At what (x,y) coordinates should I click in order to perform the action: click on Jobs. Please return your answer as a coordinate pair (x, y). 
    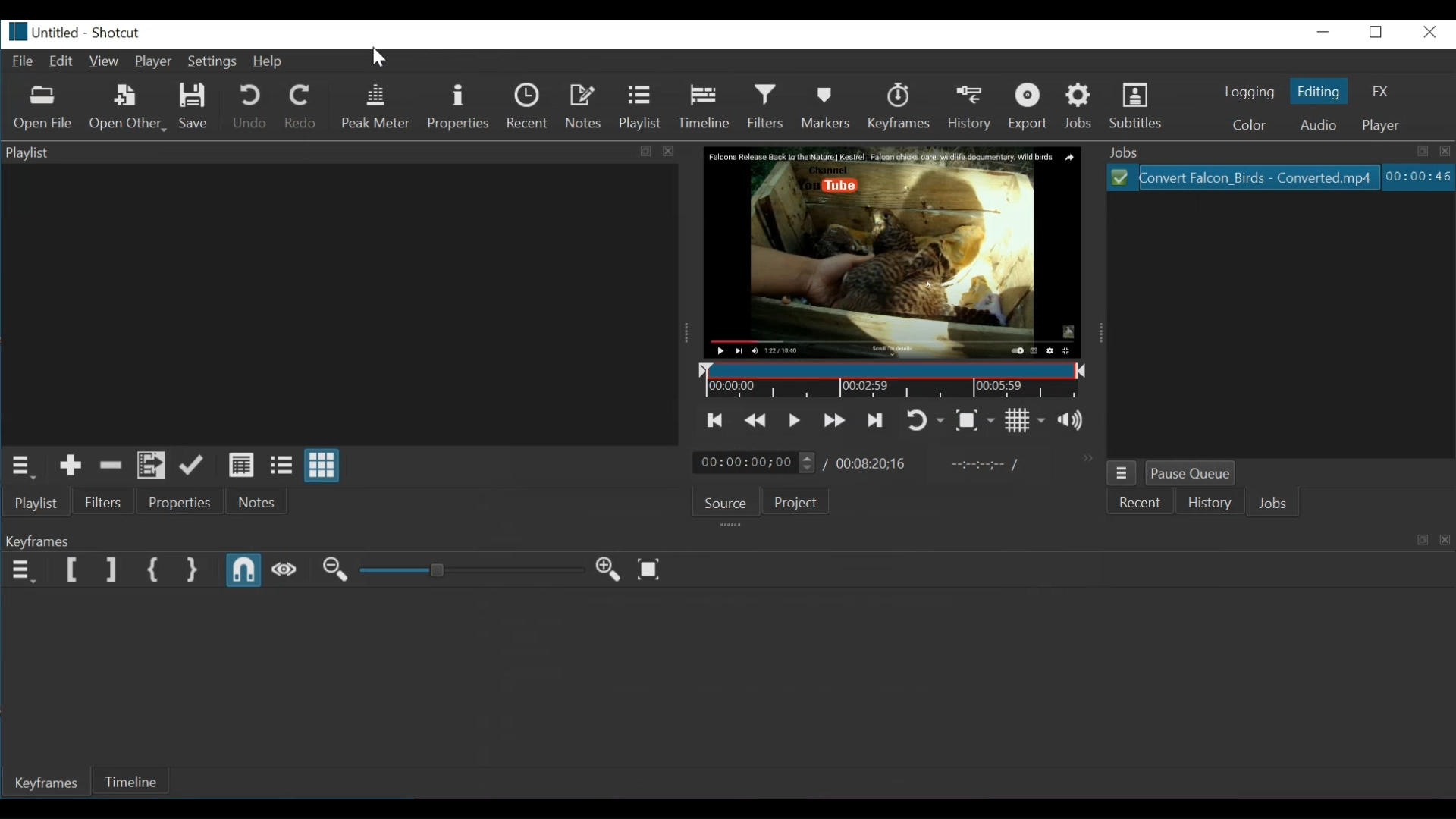
    Looking at the image, I should click on (1282, 502).